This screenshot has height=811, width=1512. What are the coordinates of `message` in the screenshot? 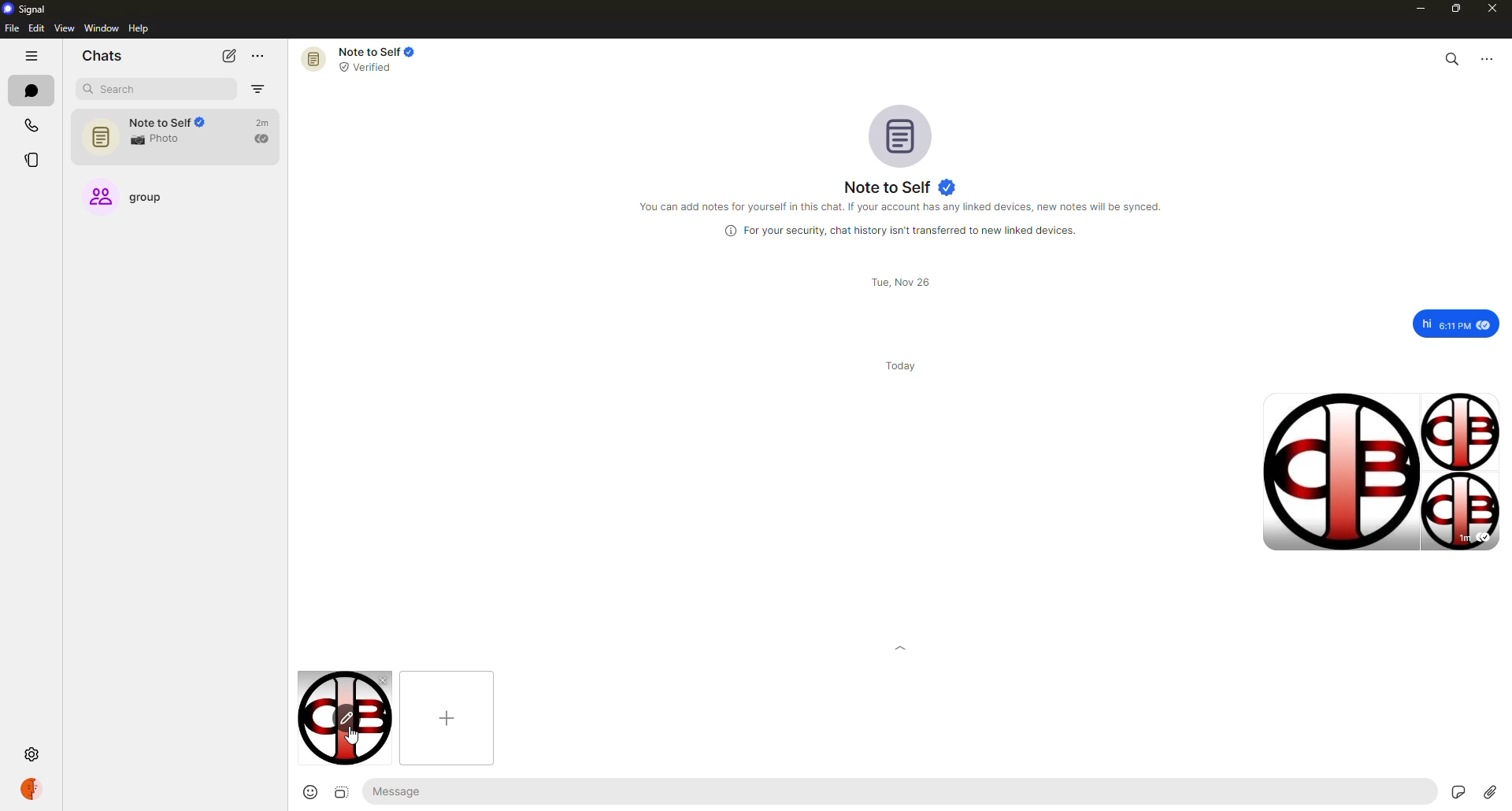 It's located at (450, 791).